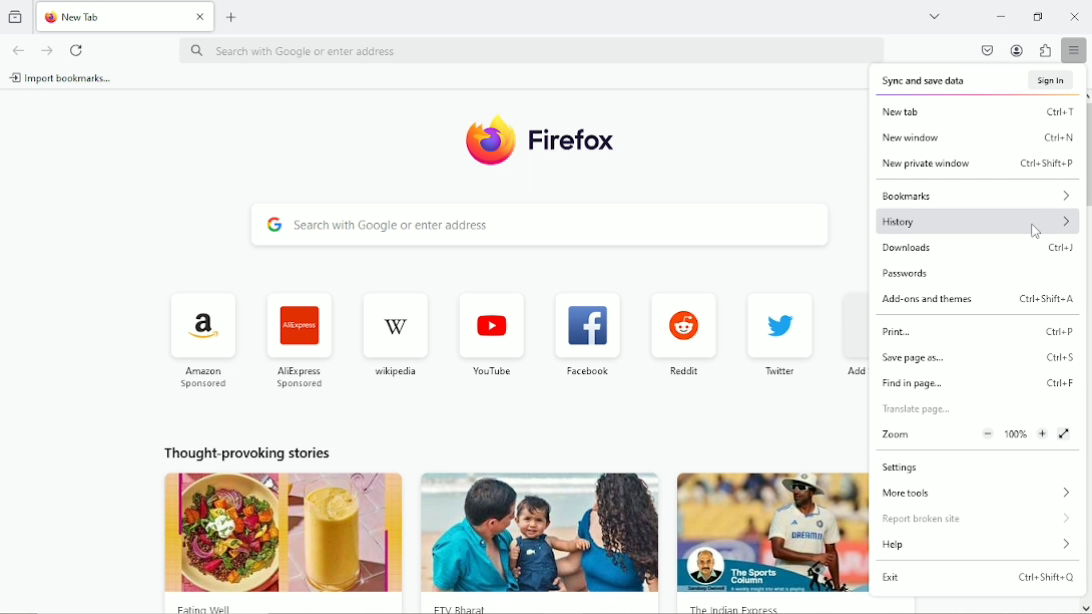 The image size is (1092, 614). Describe the element at coordinates (242, 451) in the screenshot. I see `thought provoking stories` at that location.